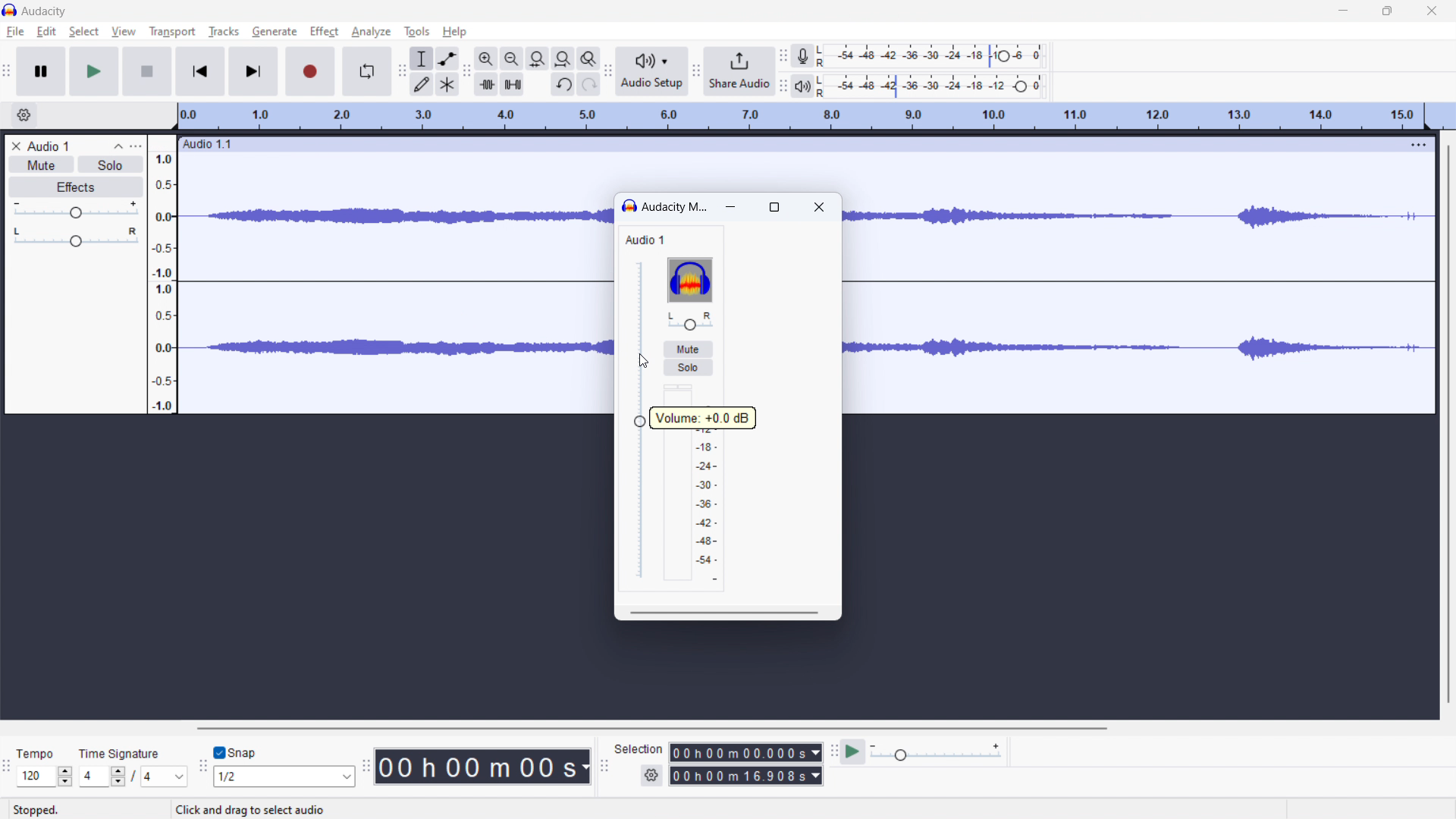  Describe the element at coordinates (513, 83) in the screenshot. I see `silence selection` at that location.